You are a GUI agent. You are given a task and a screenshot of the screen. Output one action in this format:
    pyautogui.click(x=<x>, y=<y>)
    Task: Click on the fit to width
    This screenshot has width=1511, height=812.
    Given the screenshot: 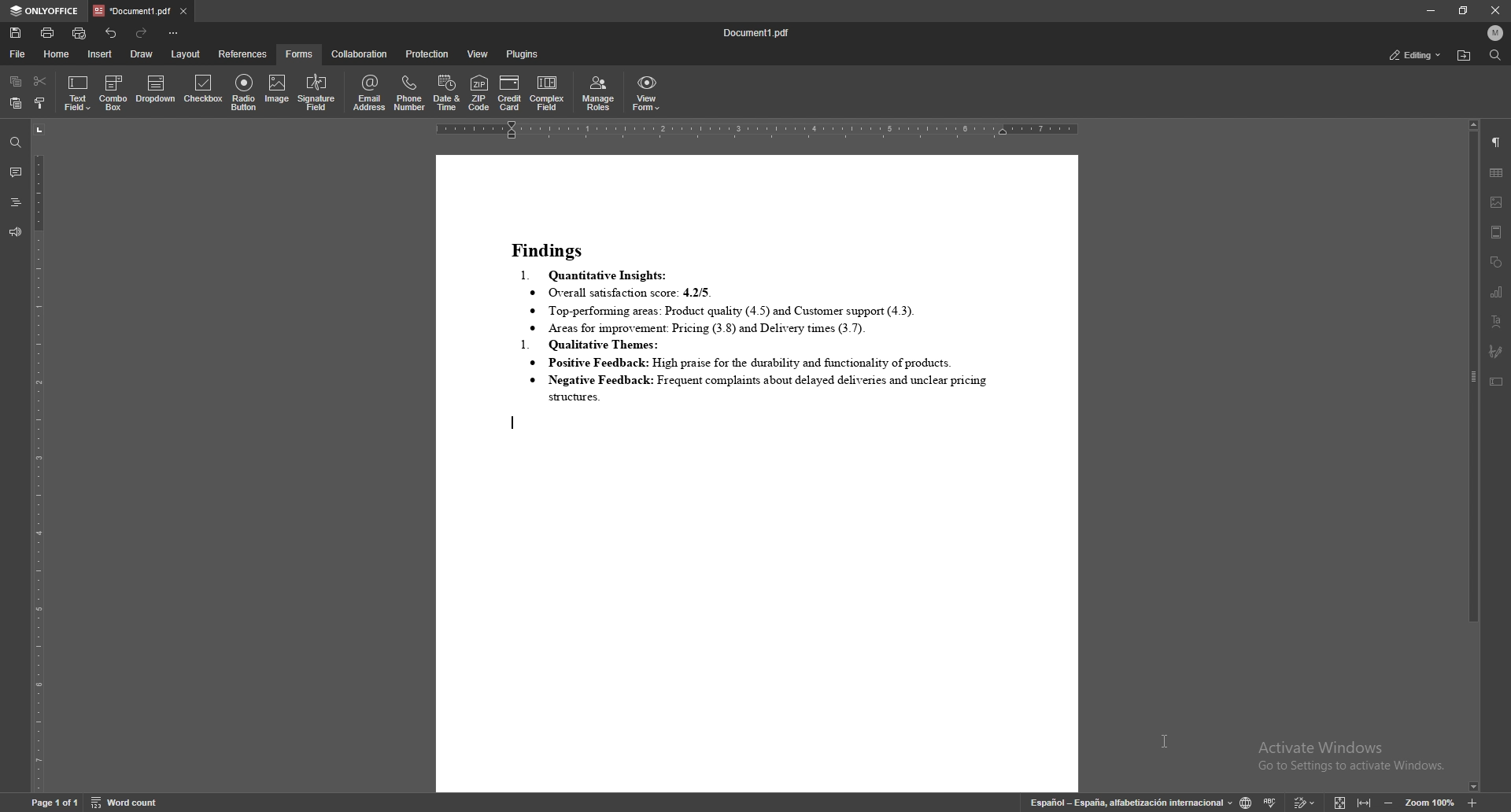 What is the action you would take?
    pyautogui.click(x=1365, y=803)
    